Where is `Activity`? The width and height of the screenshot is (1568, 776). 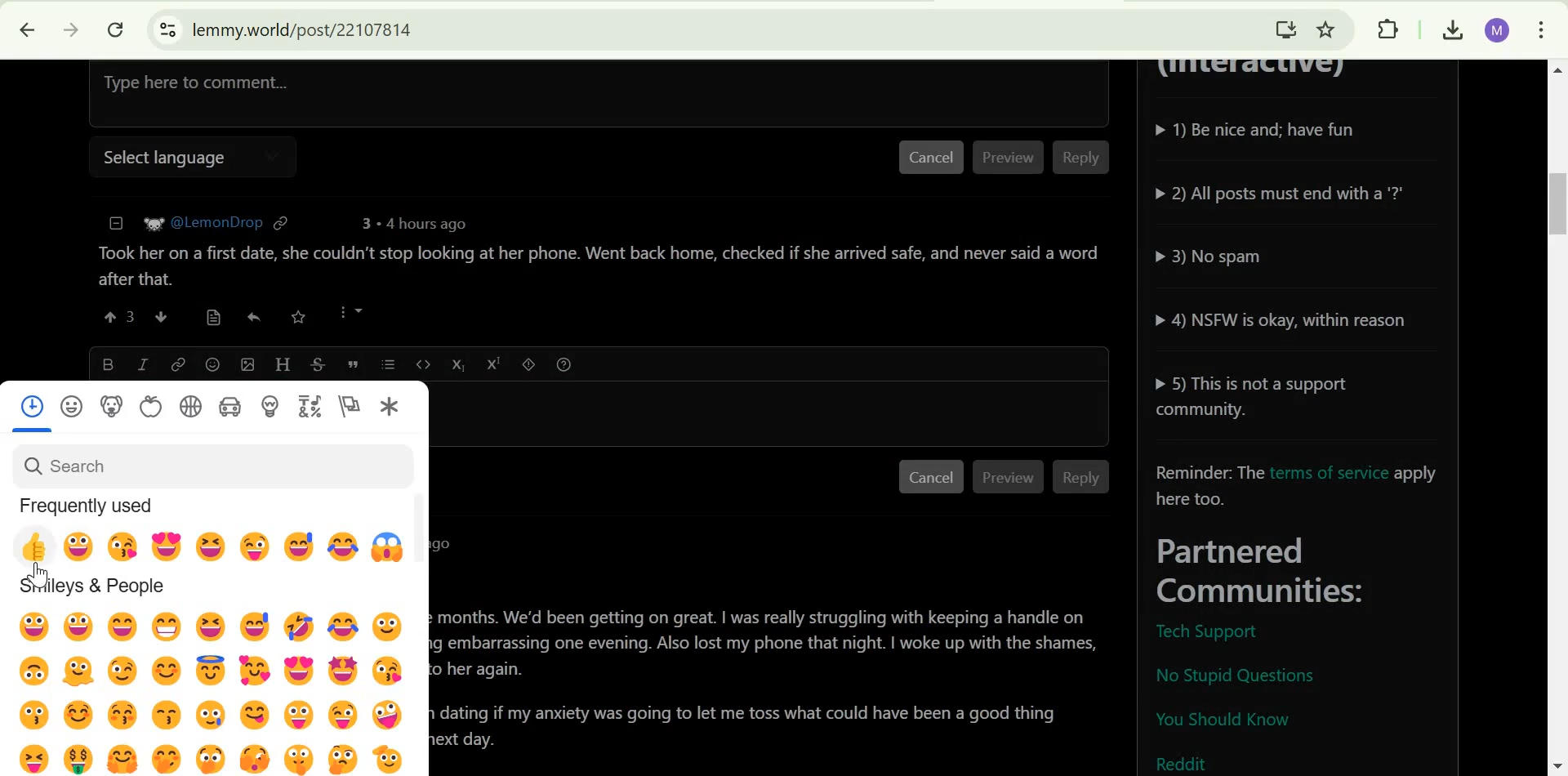 Activity is located at coordinates (192, 405).